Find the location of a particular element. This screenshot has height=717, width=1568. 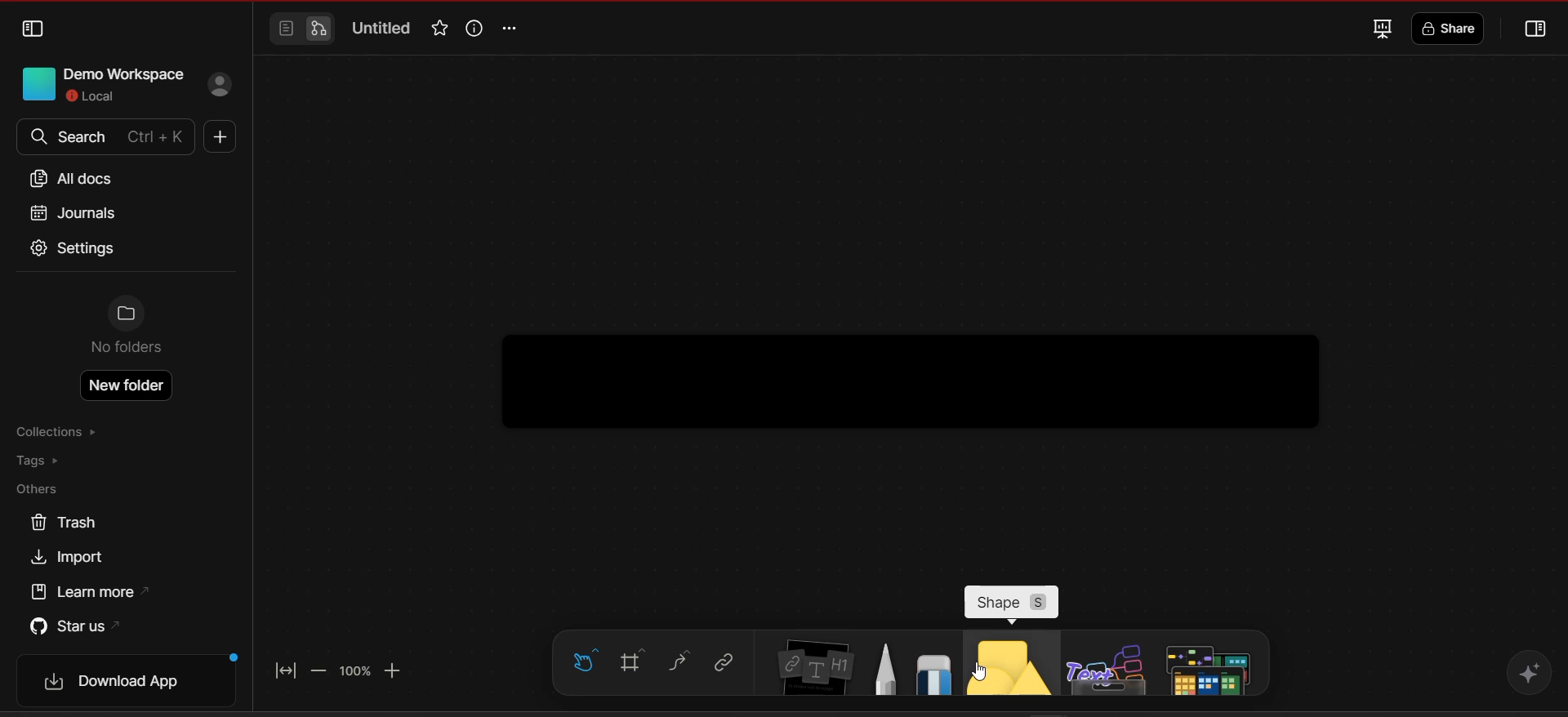

shape is located at coordinates (1013, 603).